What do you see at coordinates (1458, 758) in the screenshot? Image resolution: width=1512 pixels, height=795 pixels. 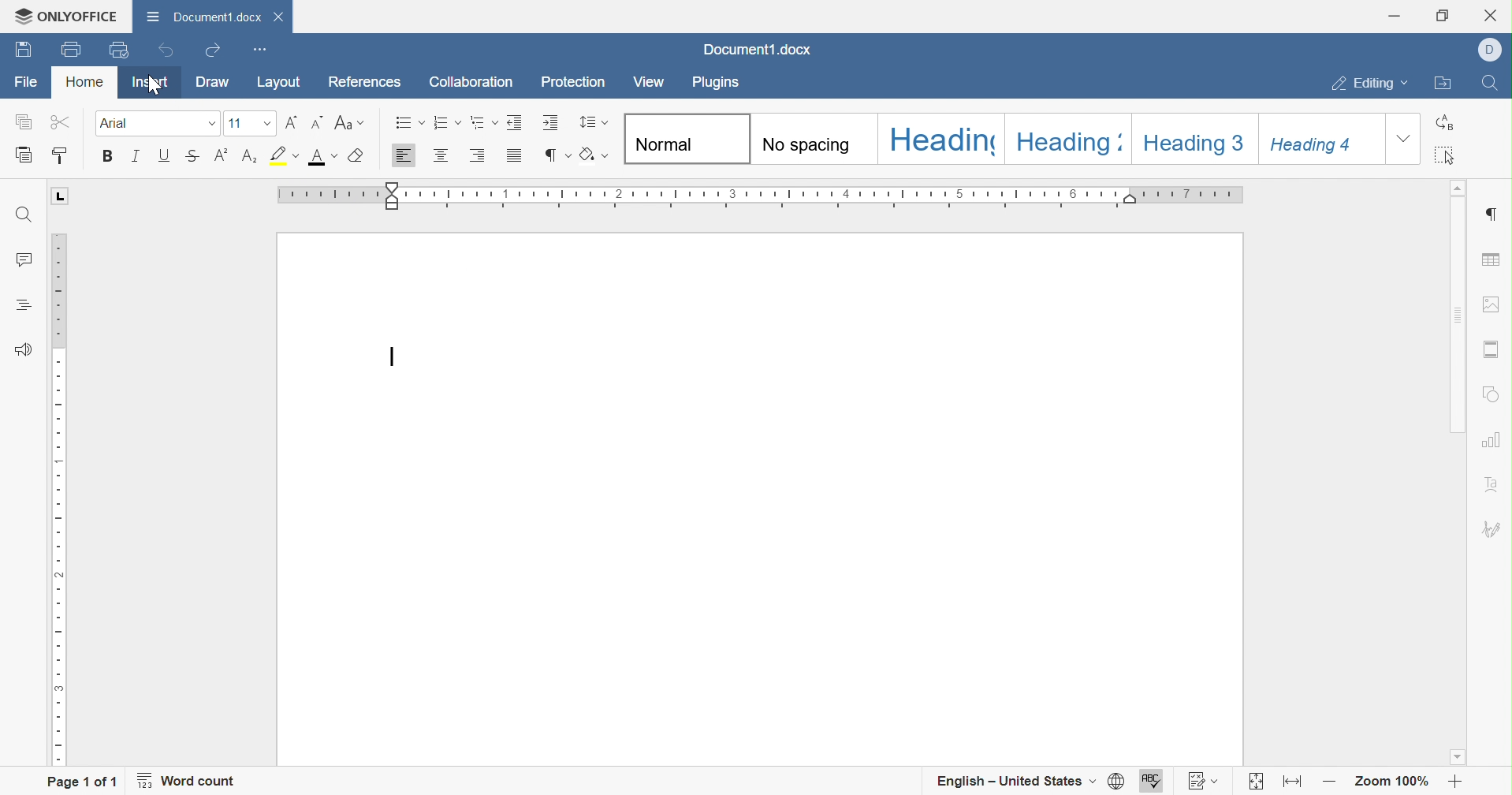 I see `Scroll down` at bounding box center [1458, 758].